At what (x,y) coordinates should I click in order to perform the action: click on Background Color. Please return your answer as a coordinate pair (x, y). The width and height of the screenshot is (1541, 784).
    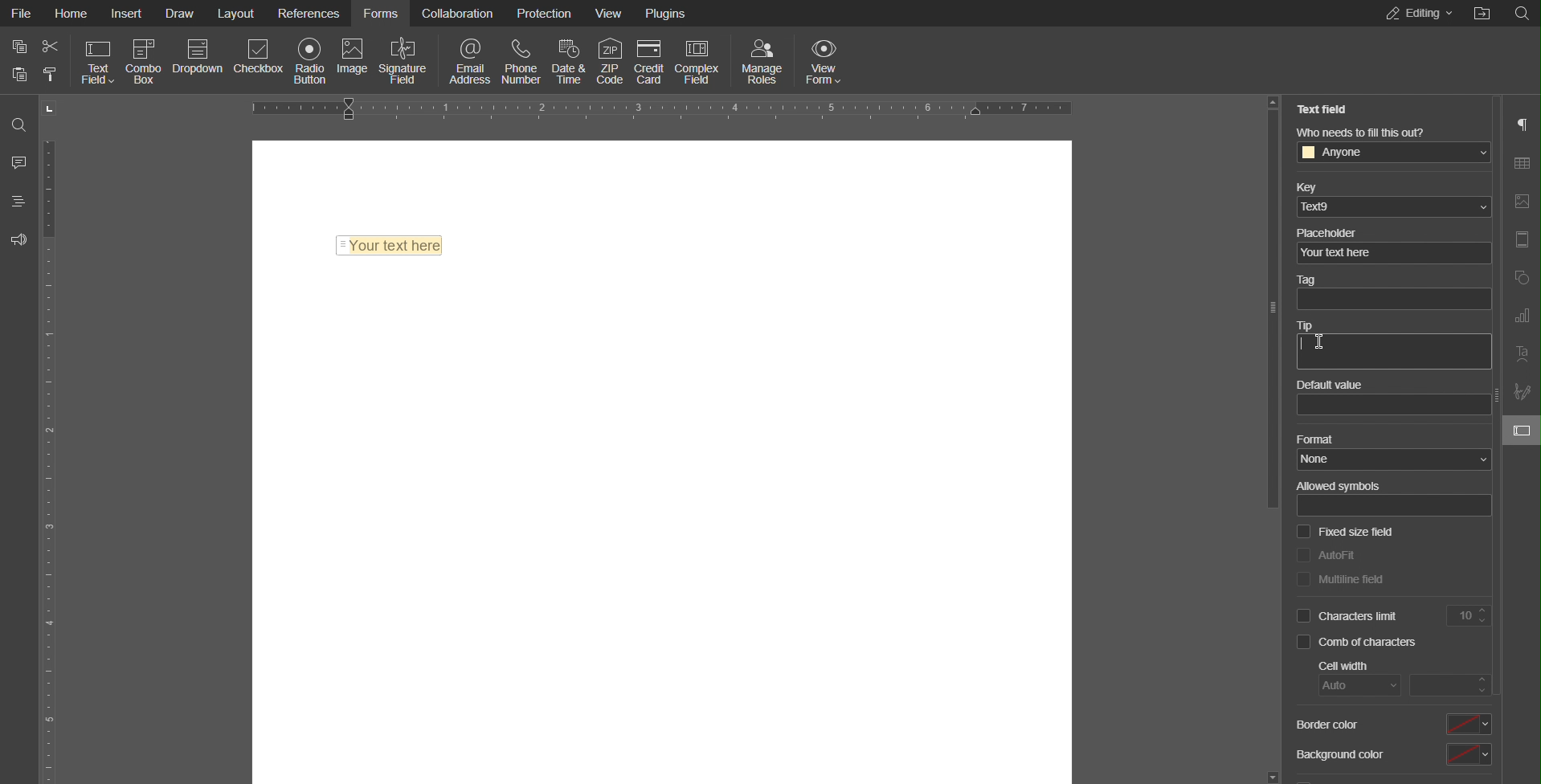
    Looking at the image, I should click on (1339, 761).